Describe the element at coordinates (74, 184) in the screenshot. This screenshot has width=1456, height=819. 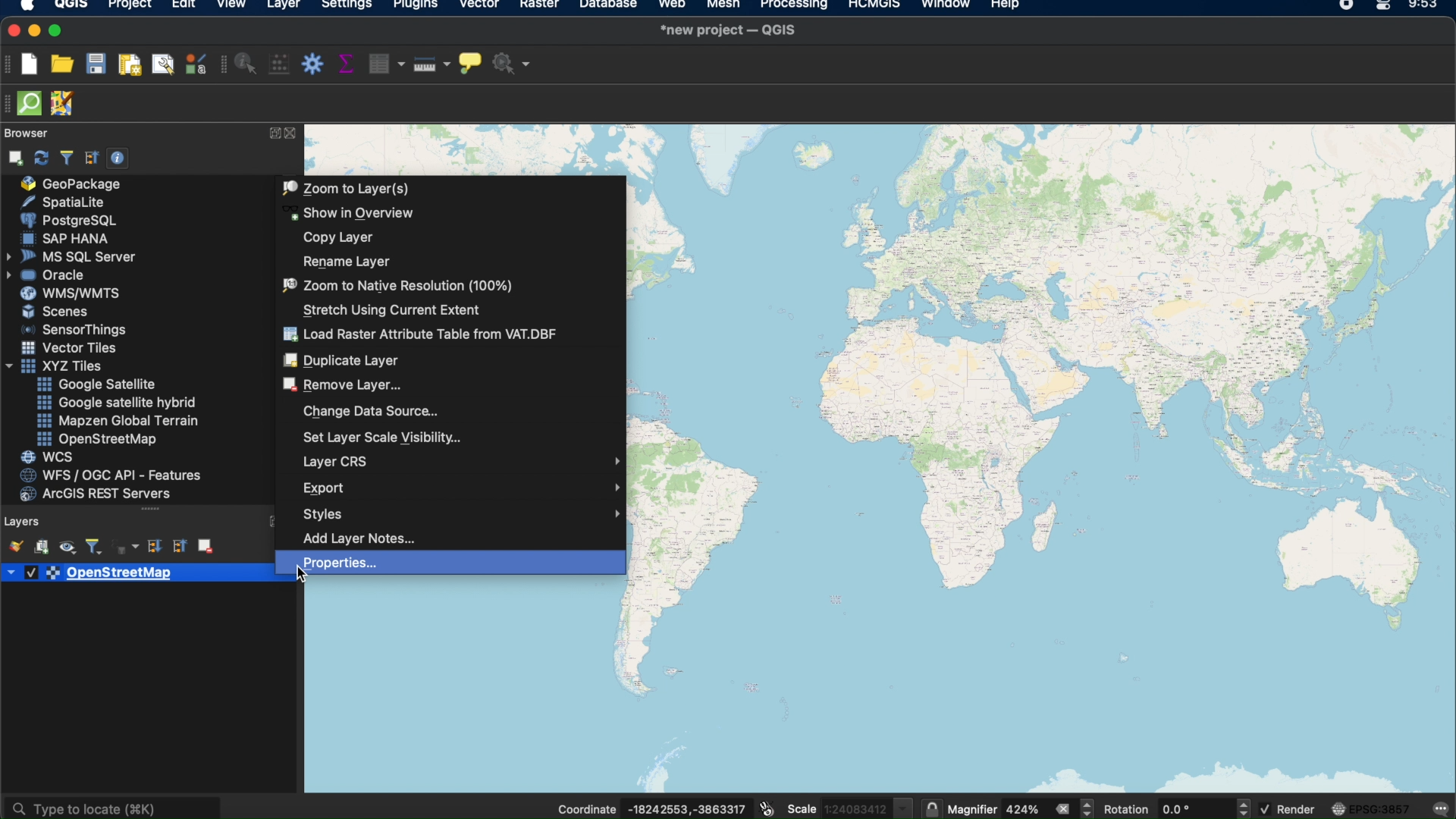
I see `geo package` at that location.